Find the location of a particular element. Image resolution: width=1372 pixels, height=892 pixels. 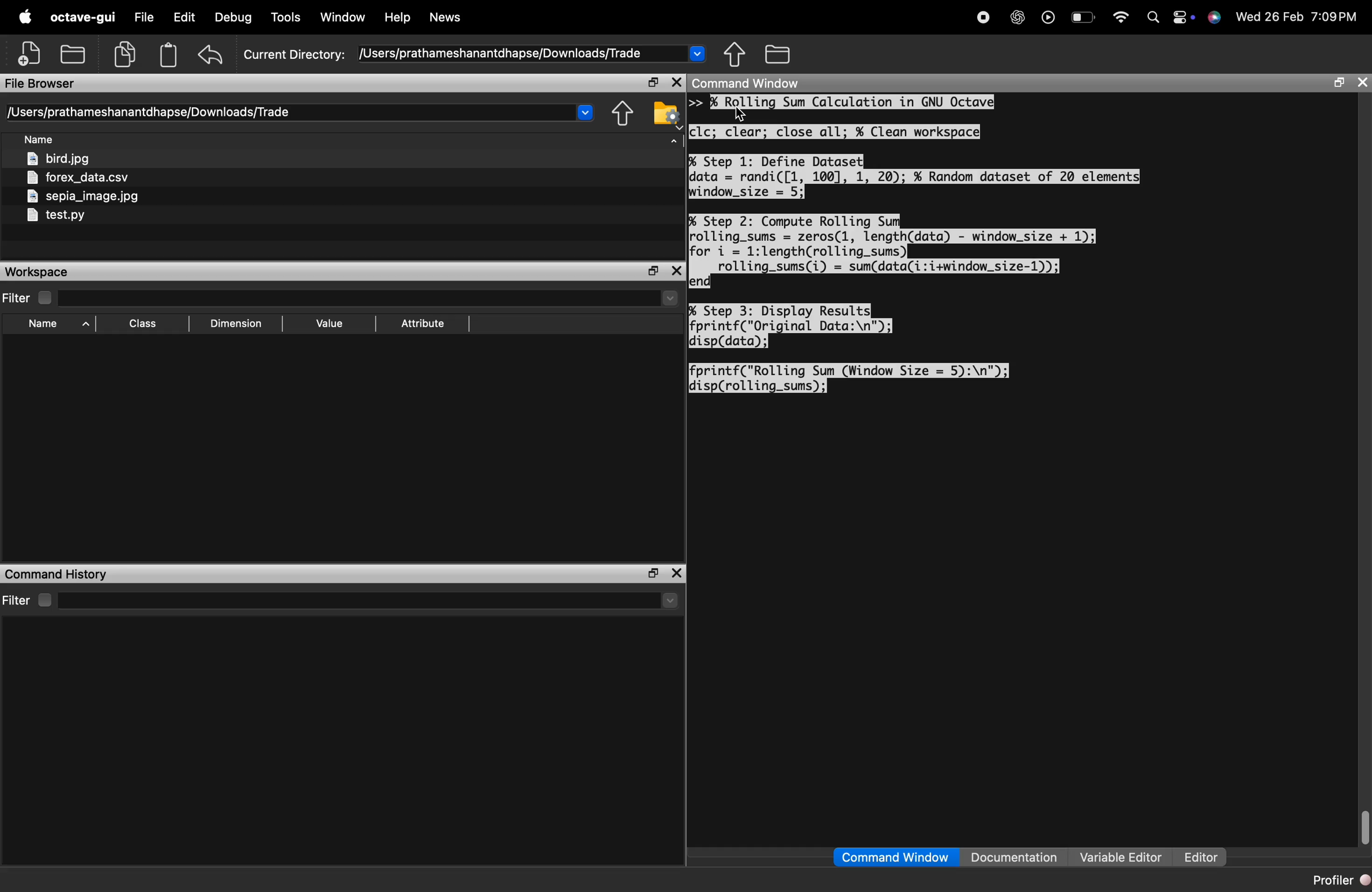

sort by attribute is located at coordinates (425, 323).